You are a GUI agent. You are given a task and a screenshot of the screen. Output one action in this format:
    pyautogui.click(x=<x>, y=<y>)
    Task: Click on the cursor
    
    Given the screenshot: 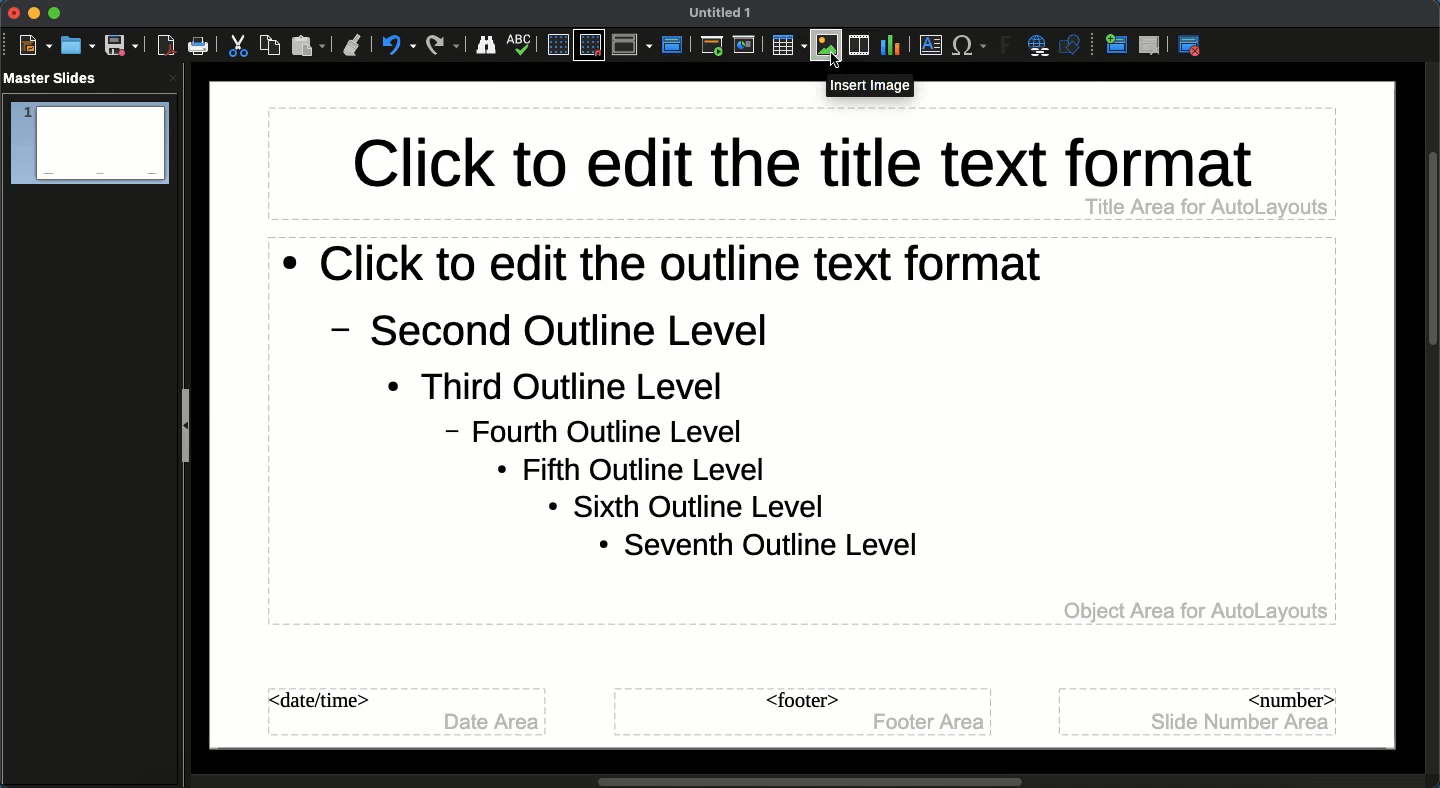 What is the action you would take?
    pyautogui.click(x=826, y=60)
    